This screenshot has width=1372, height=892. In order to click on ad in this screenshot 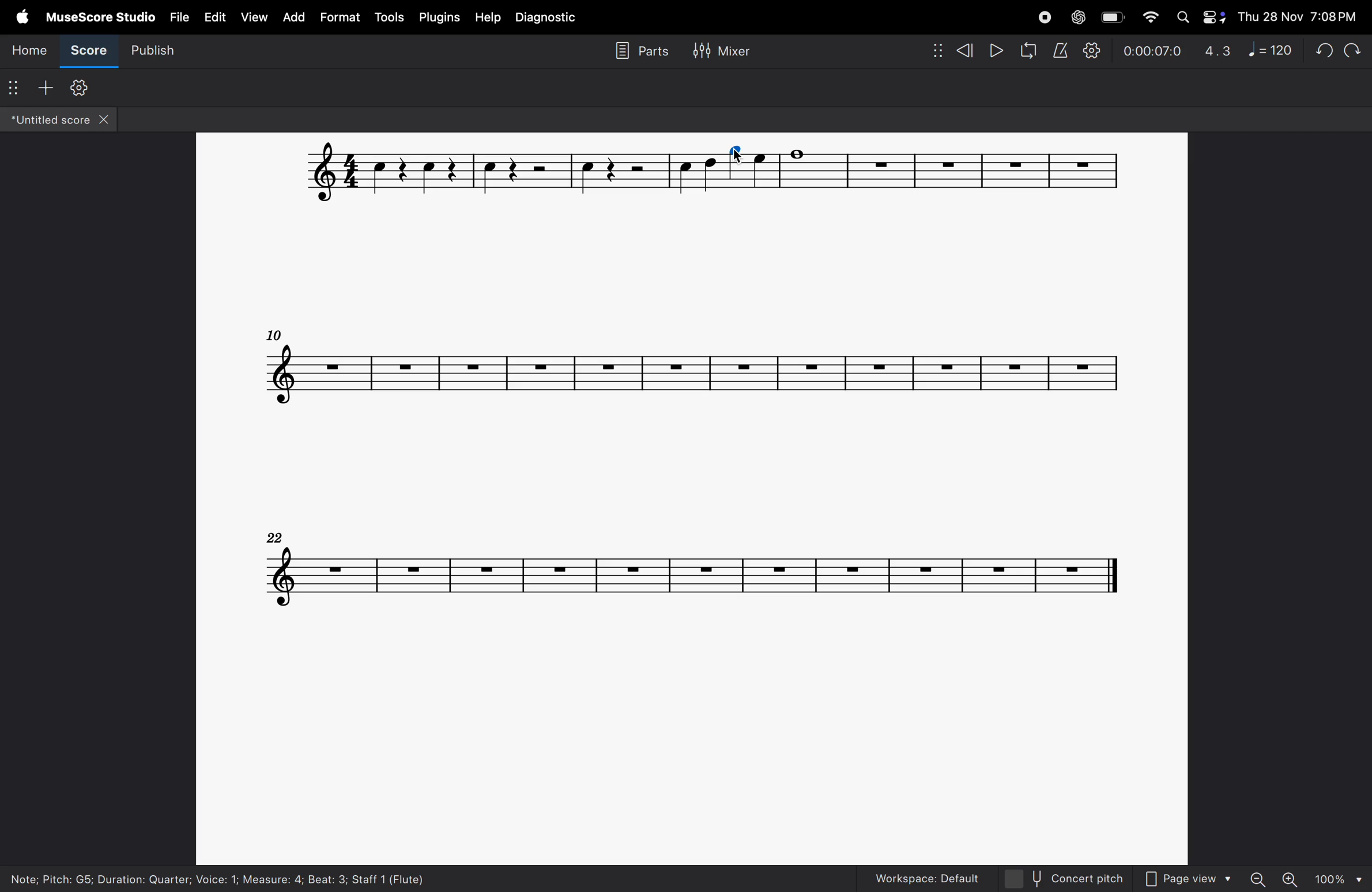, I will do `click(293, 16)`.